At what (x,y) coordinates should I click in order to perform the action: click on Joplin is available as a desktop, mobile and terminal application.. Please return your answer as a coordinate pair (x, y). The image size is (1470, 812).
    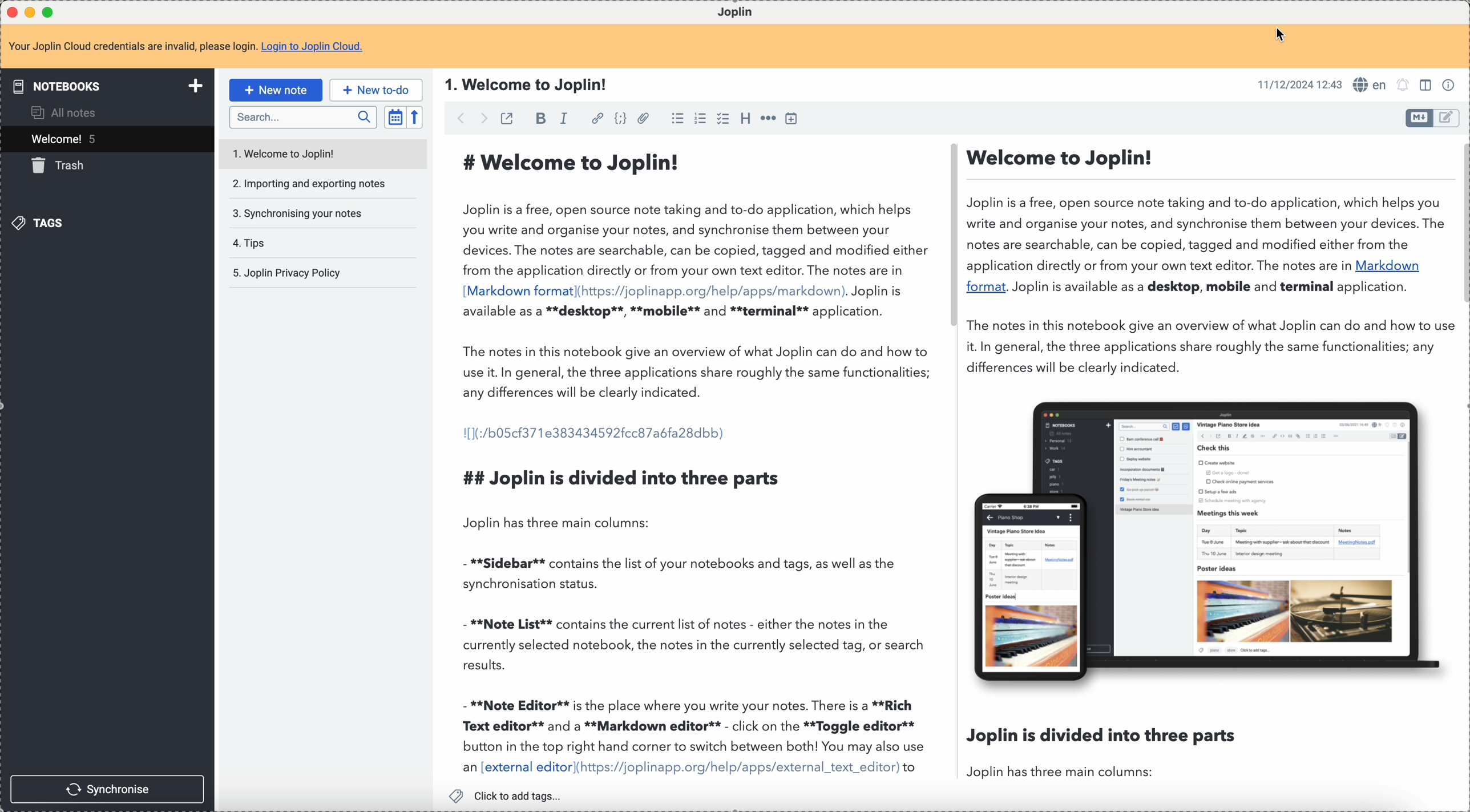
    Looking at the image, I should click on (1210, 287).